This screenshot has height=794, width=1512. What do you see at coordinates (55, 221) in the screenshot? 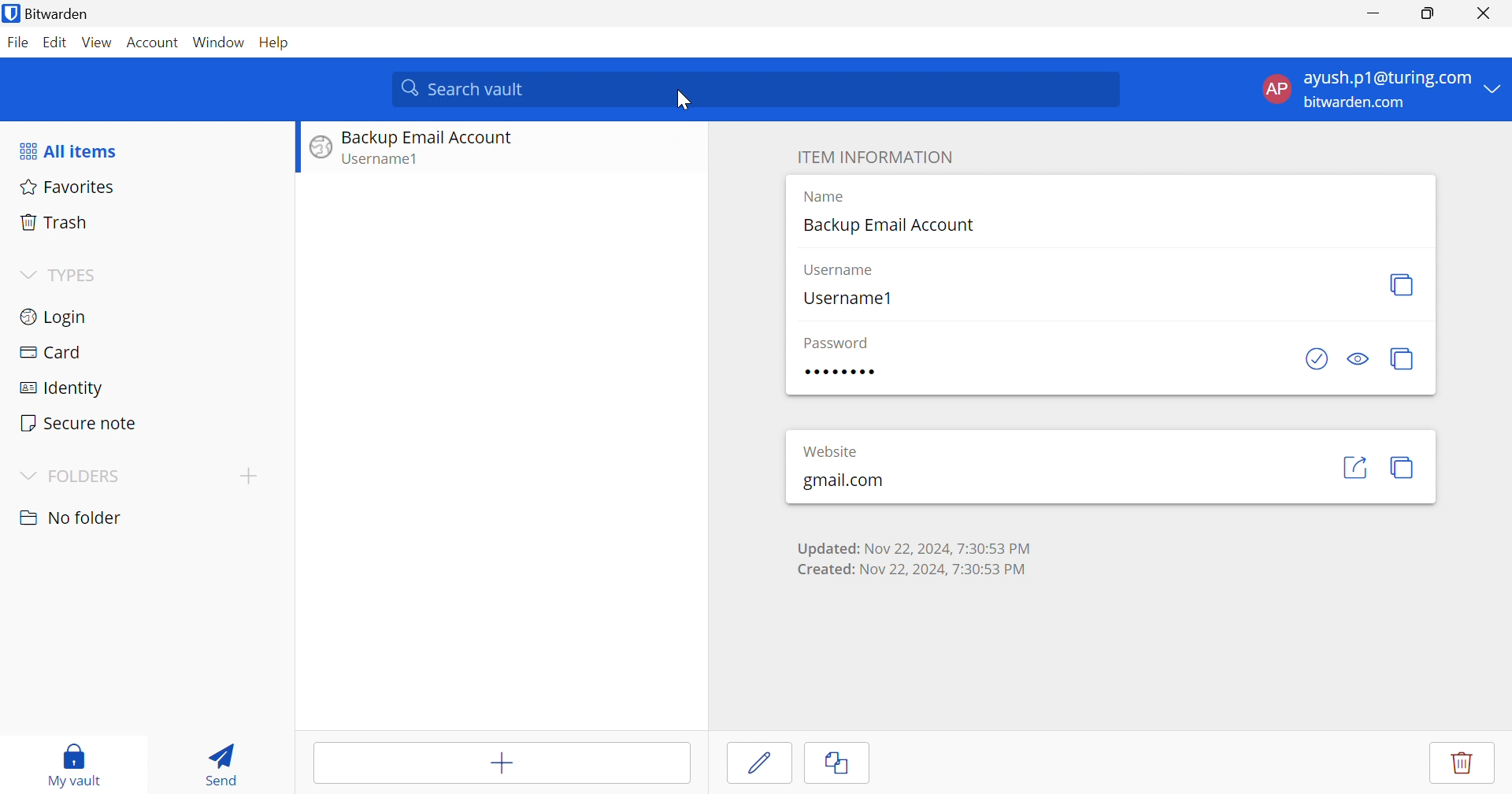
I see `Trash` at bounding box center [55, 221].